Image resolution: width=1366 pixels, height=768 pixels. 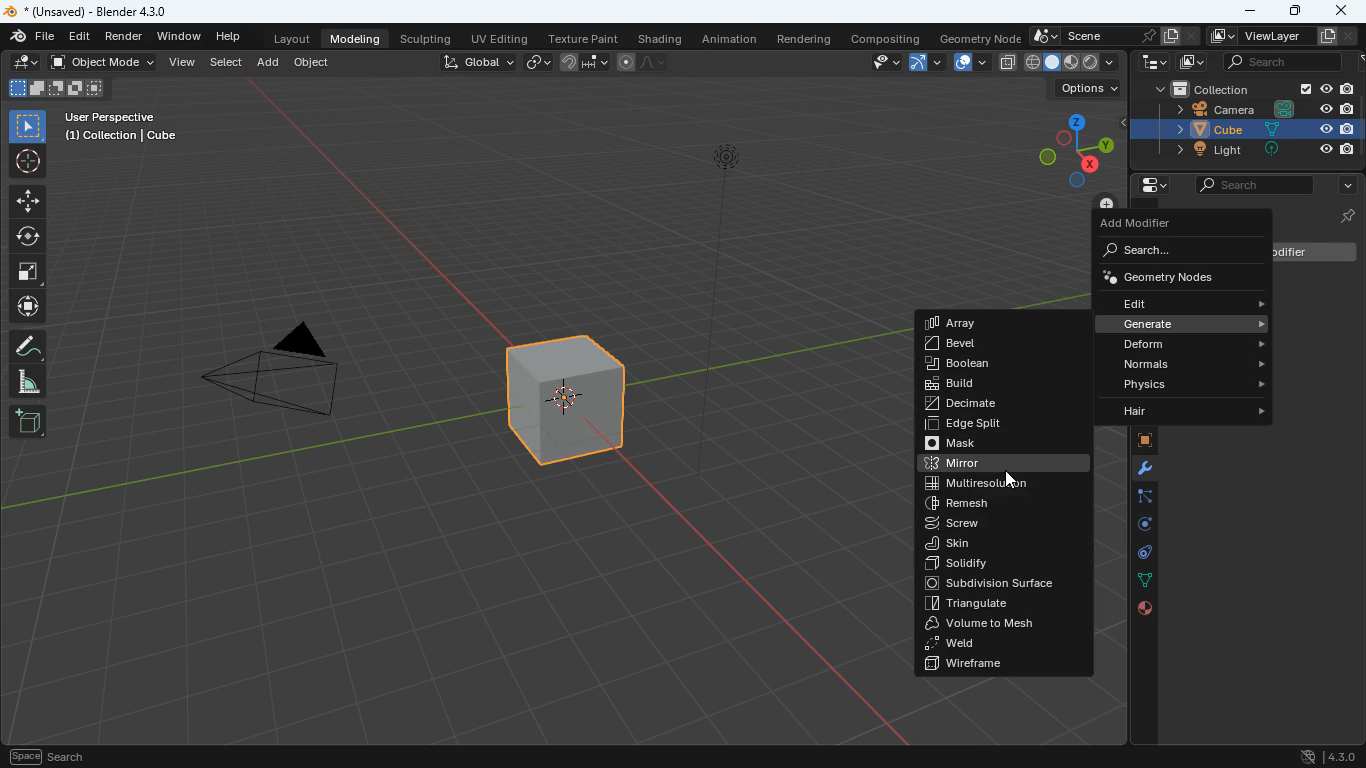 I want to click on search, so click(x=1167, y=251).